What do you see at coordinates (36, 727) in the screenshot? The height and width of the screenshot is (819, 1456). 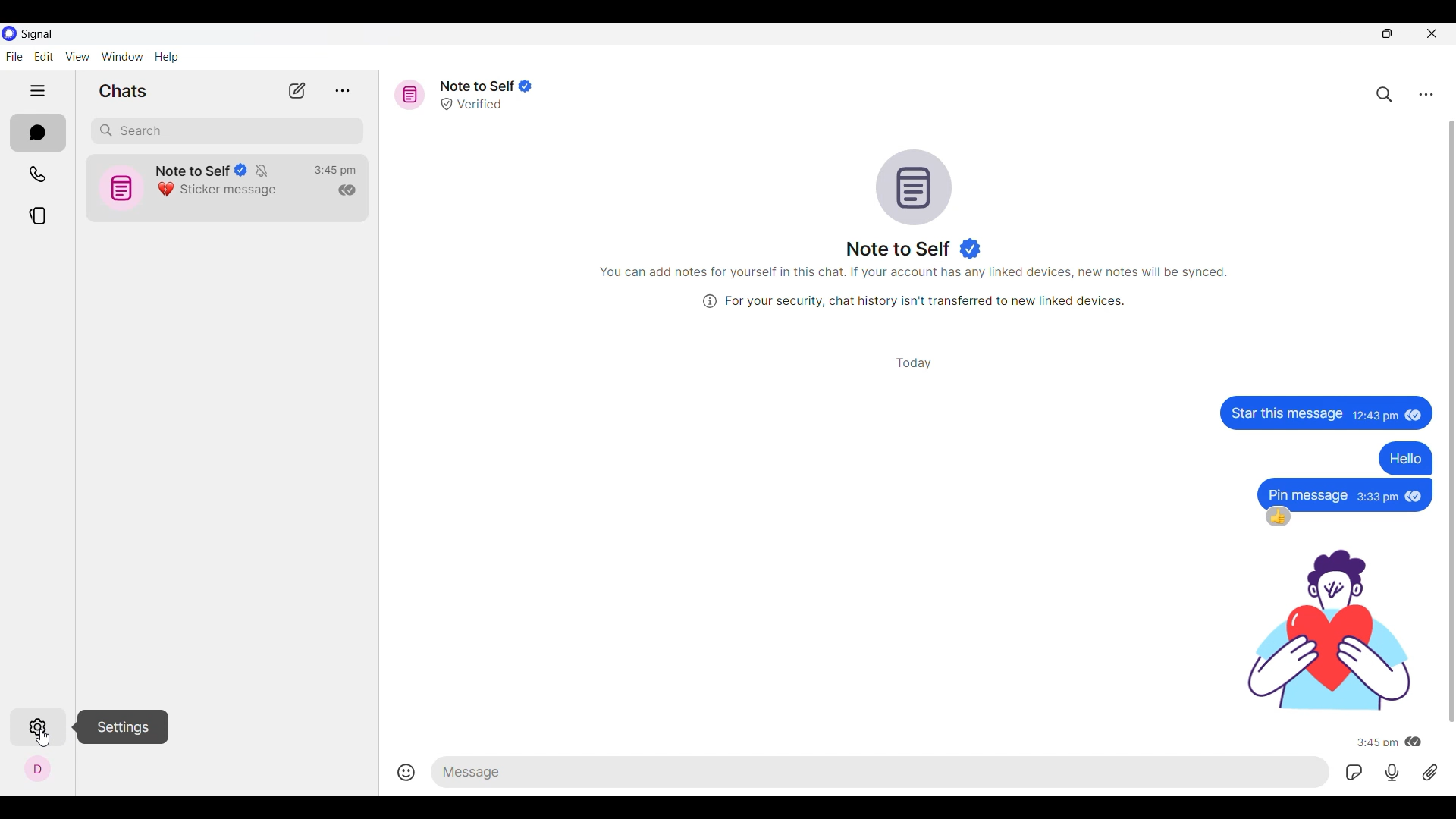 I see `Settings ` at bounding box center [36, 727].